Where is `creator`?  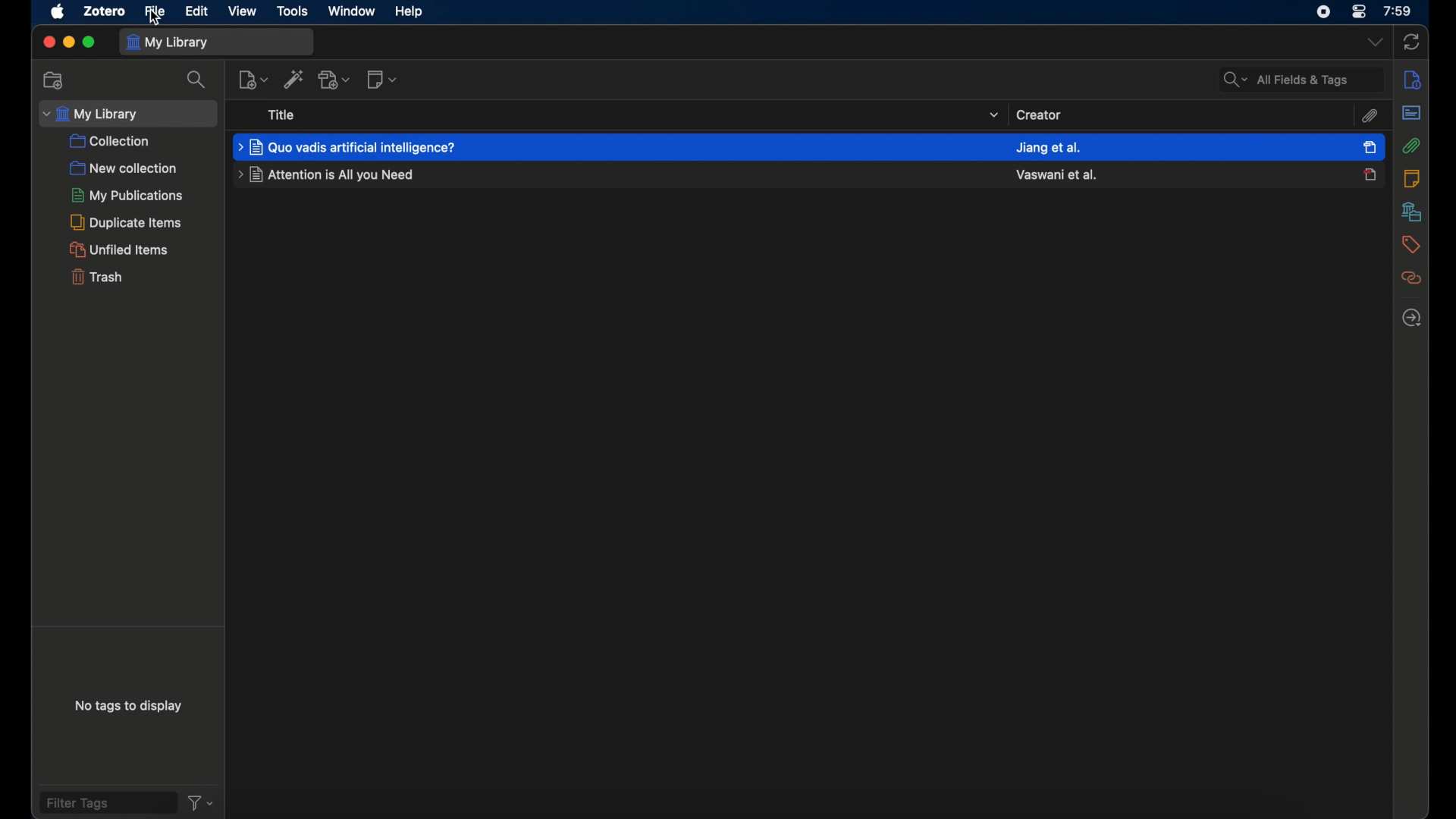
creator is located at coordinates (1039, 114).